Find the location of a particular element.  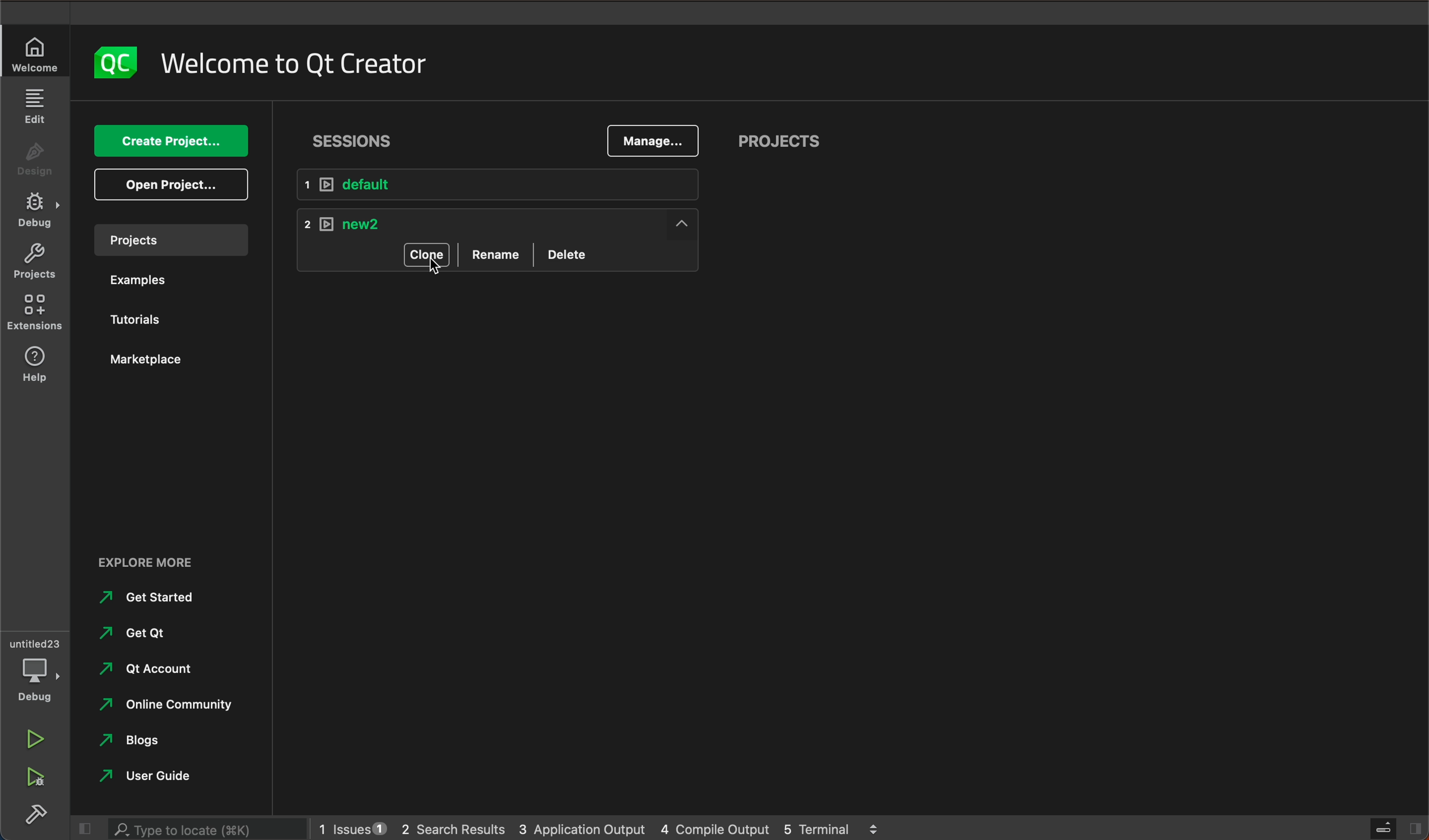

open project is located at coordinates (170, 184).